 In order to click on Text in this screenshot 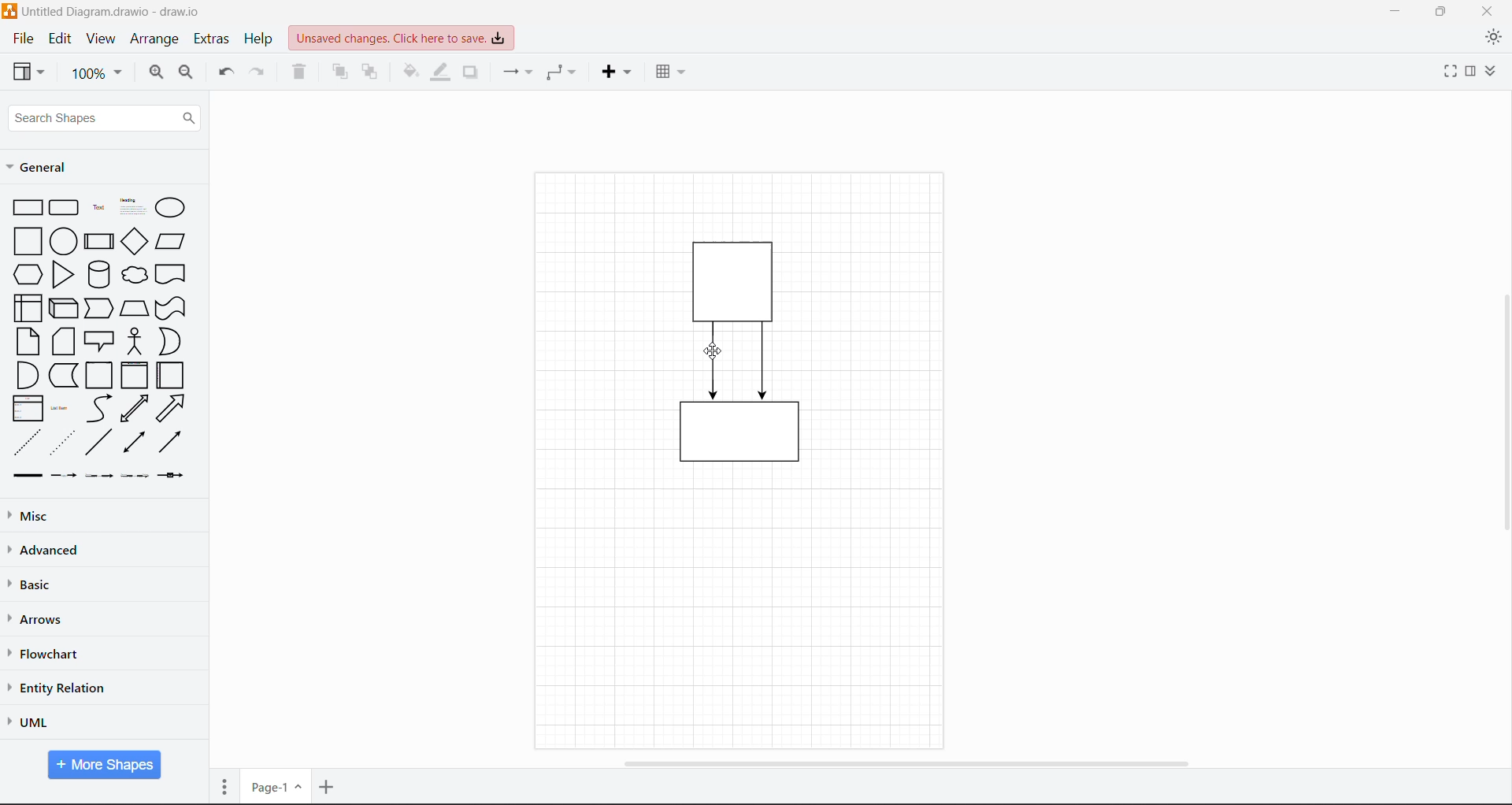, I will do `click(98, 206)`.